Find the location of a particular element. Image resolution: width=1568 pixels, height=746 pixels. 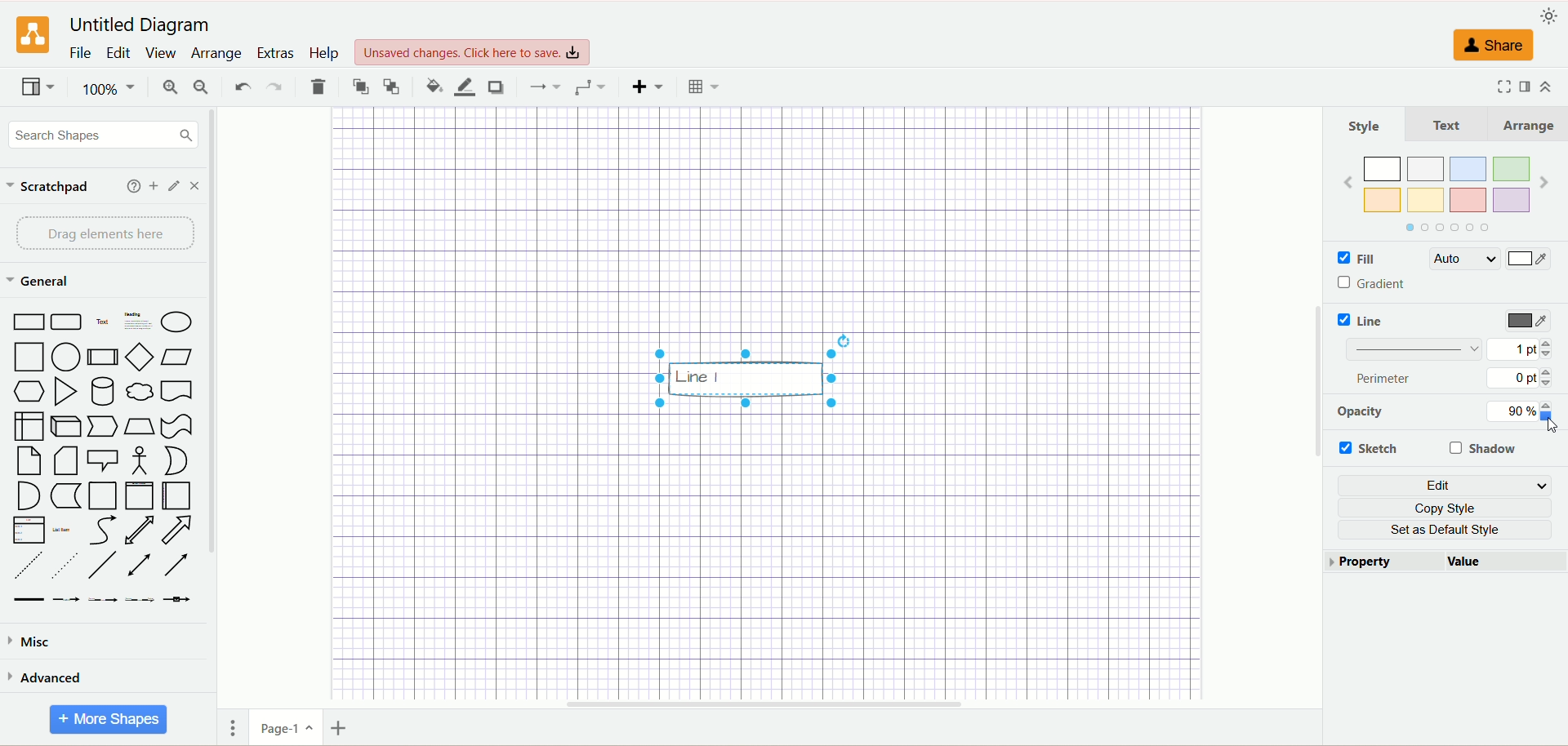

Unsaved changes. click here to save is located at coordinates (472, 53).